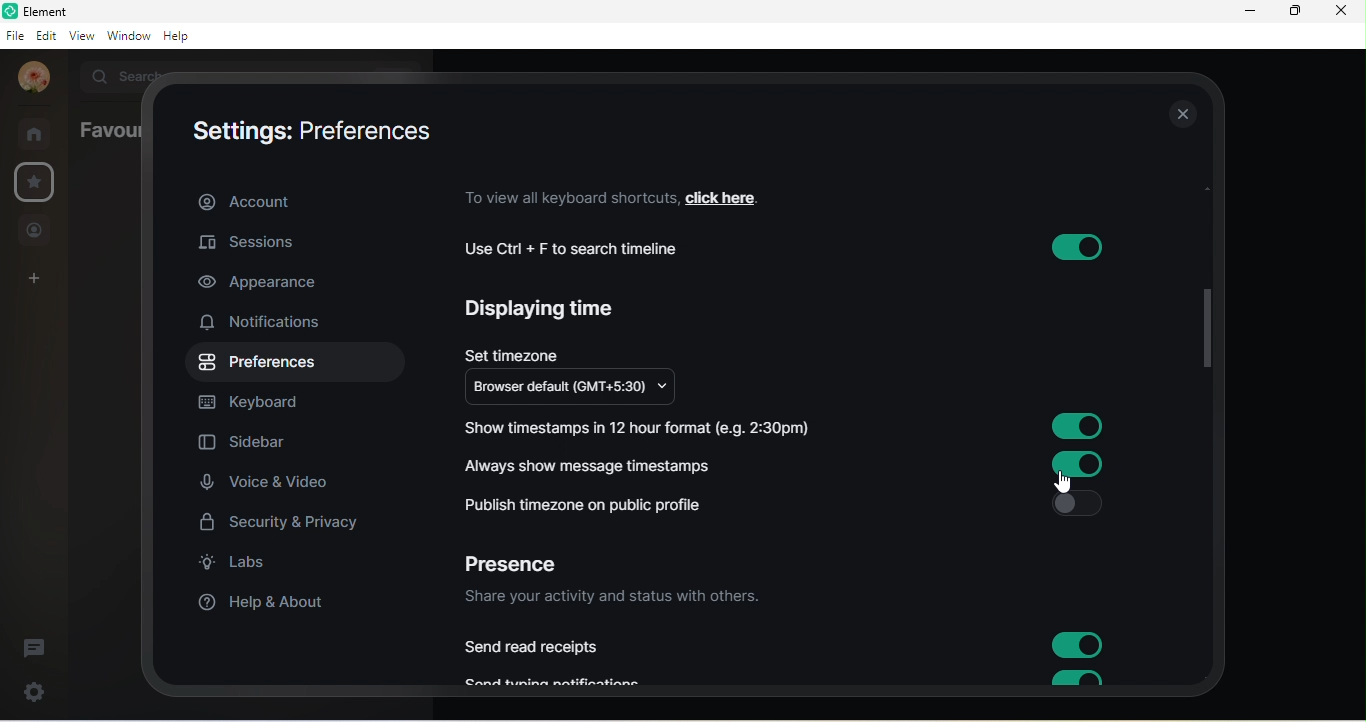 The height and width of the screenshot is (722, 1366). Describe the element at coordinates (1080, 464) in the screenshot. I see `Toggled the visibility of message ` at that location.